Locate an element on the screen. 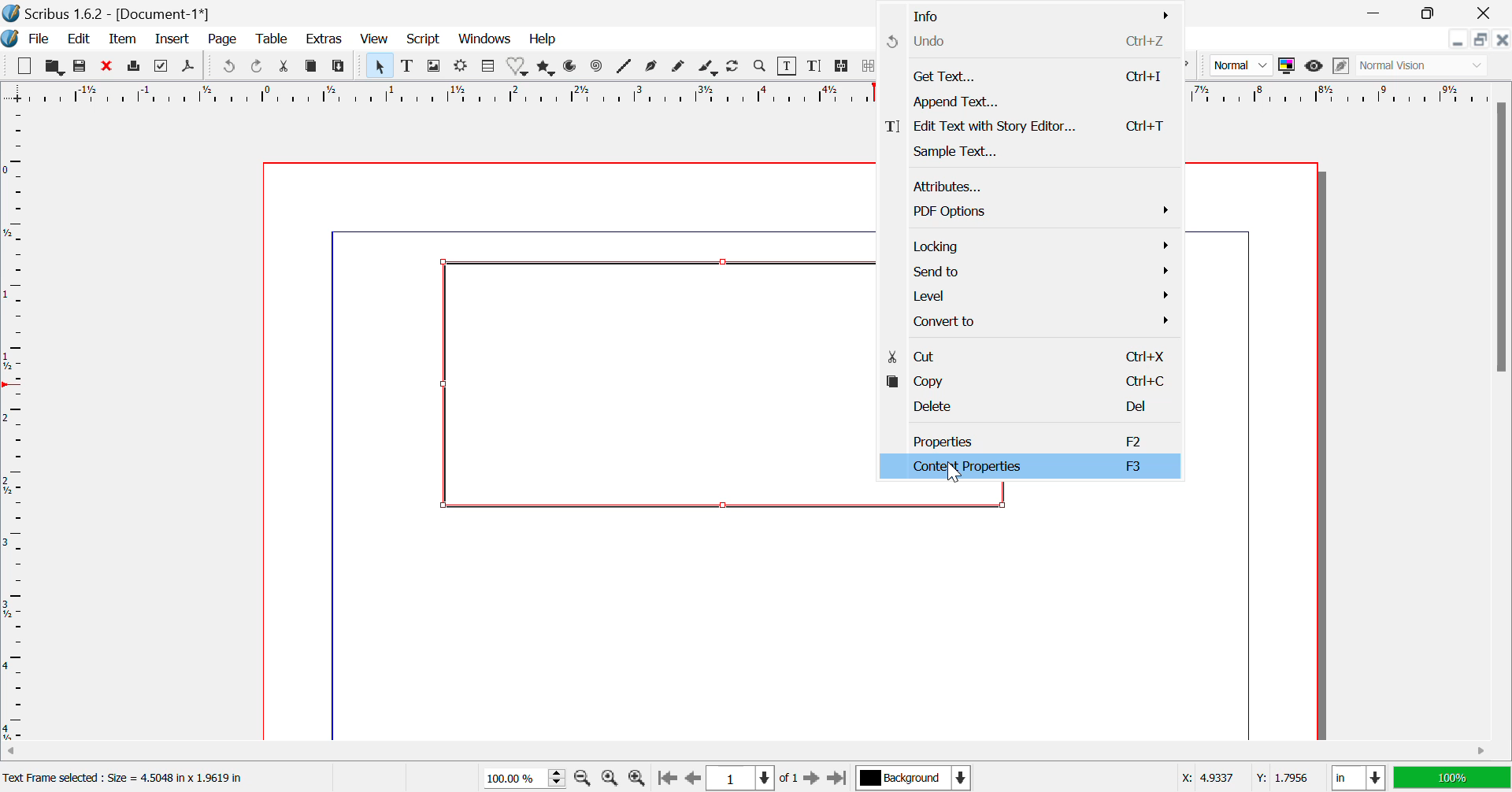  Zoom 100% is located at coordinates (526, 777).